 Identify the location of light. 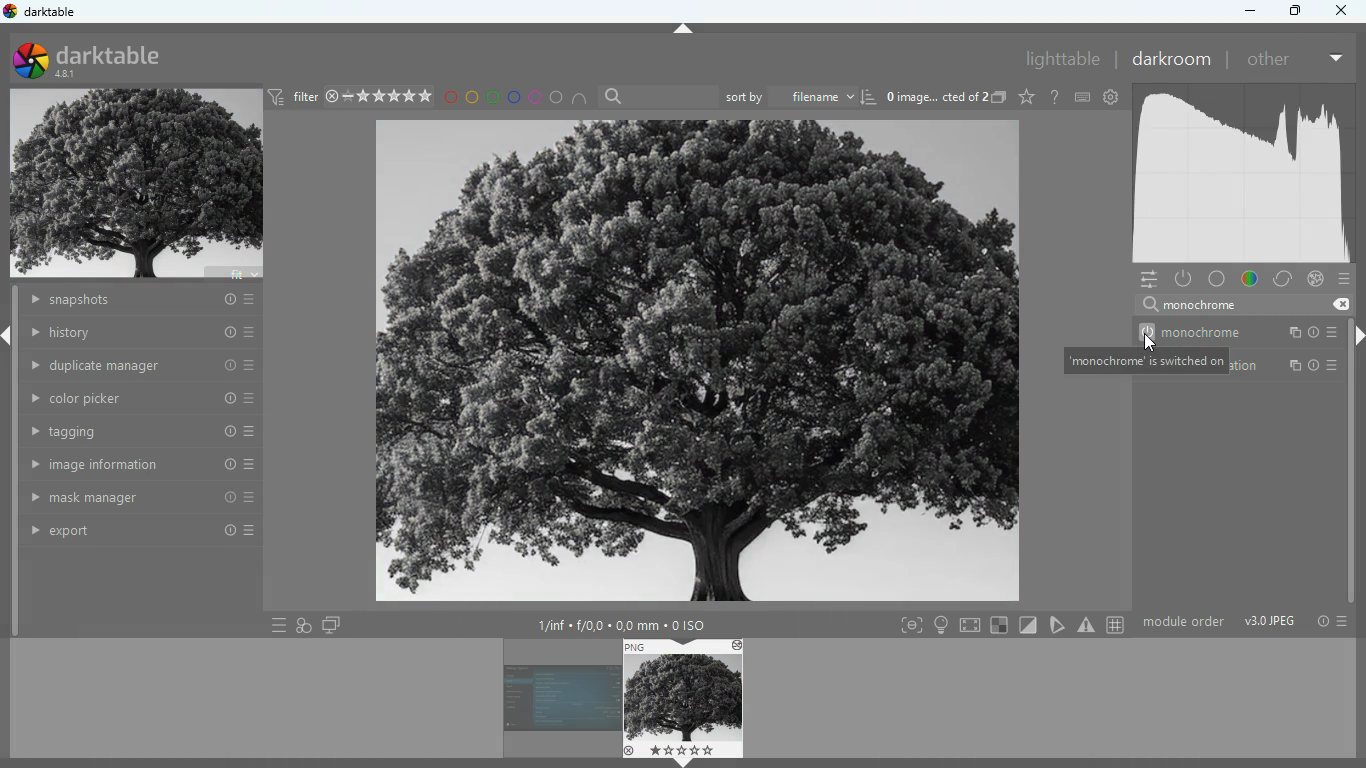
(943, 624).